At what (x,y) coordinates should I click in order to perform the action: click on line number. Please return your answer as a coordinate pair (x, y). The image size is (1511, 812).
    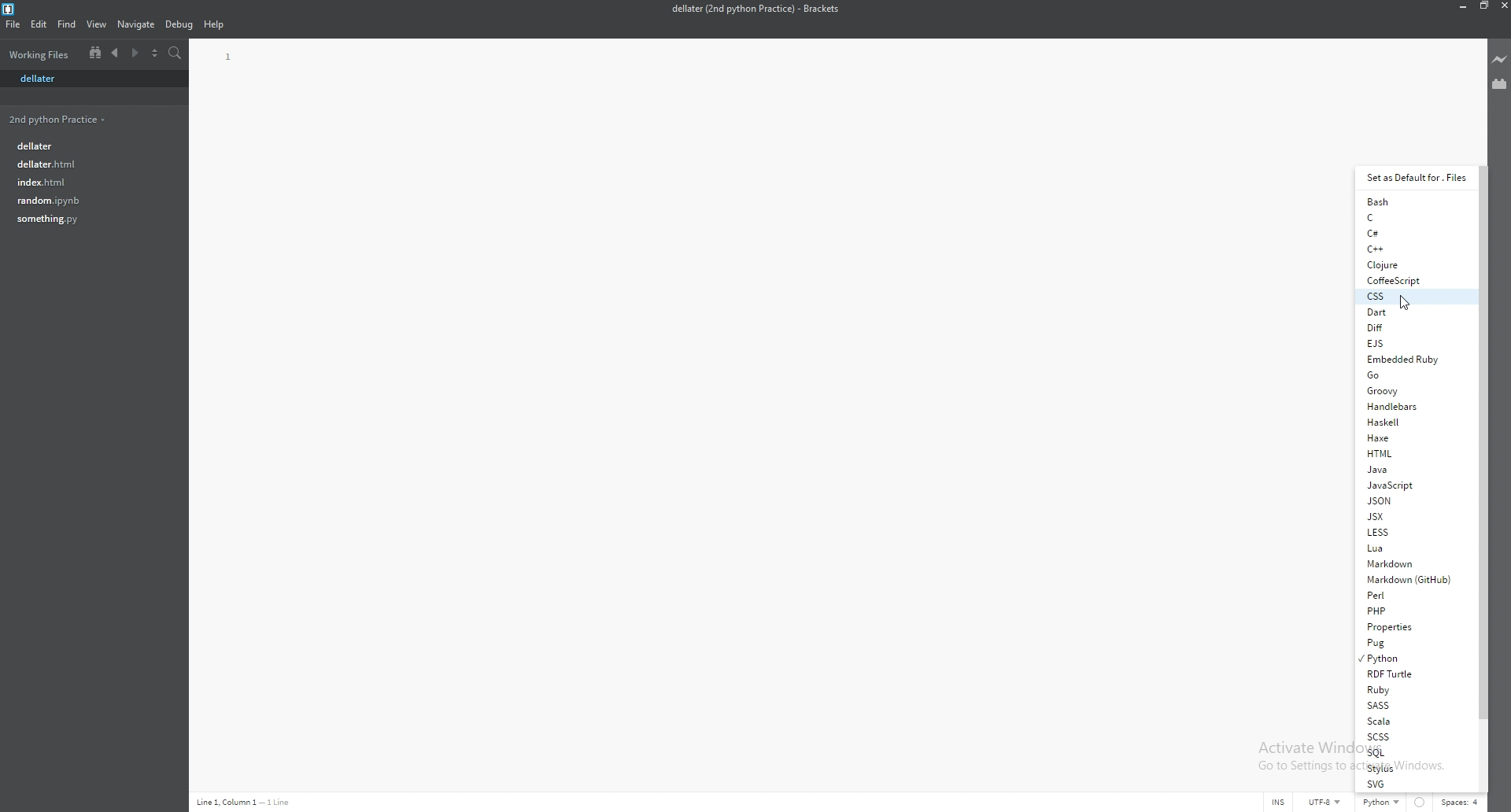
    Looking at the image, I should click on (230, 57).